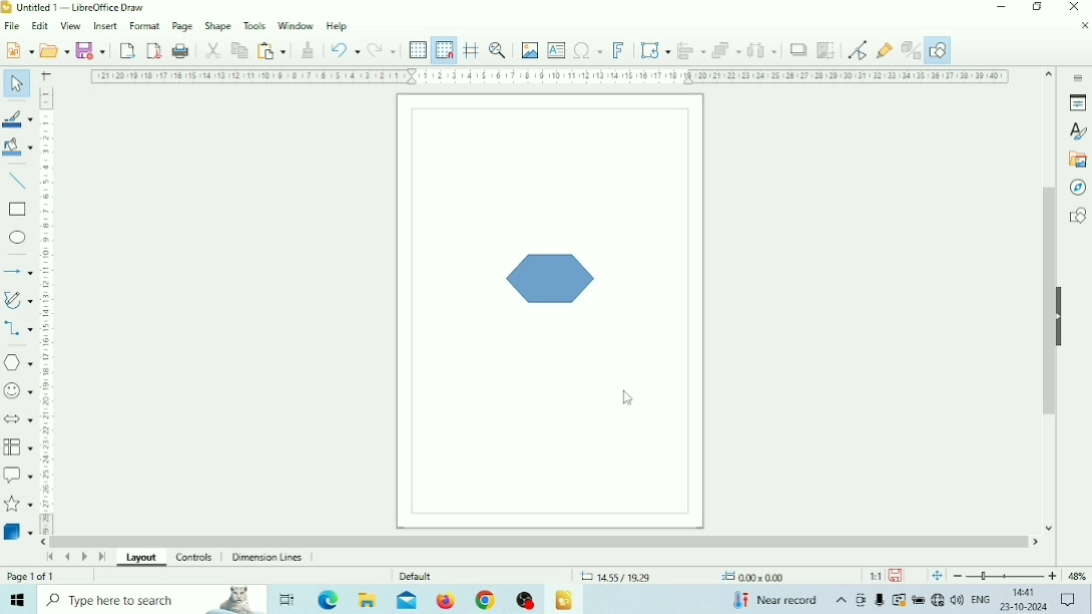 The height and width of the screenshot is (614, 1092). Describe the element at coordinates (444, 50) in the screenshot. I see `Snap to Grid` at that location.